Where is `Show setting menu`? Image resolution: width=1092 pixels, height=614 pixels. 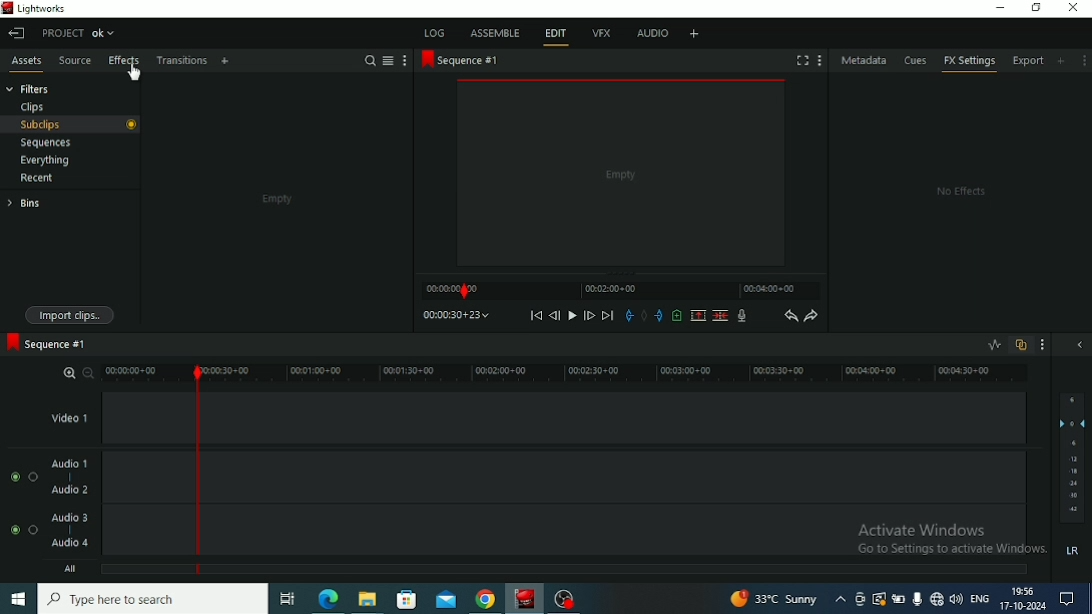
Show setting menu is located at coordinates (1044, 345).